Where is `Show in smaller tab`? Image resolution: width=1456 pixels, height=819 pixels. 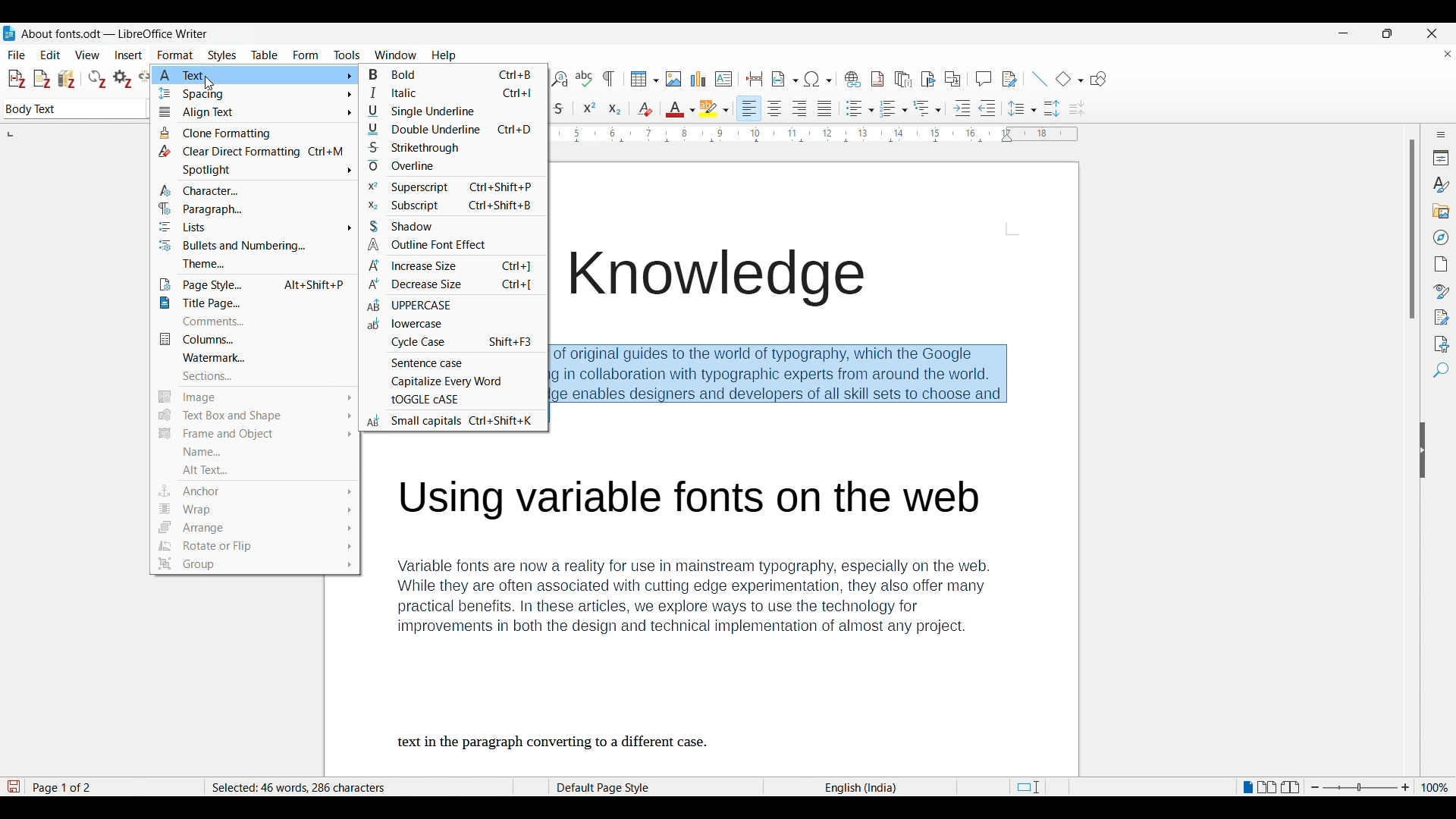 Show in smaller tab is located at coordinates (1387, 33).